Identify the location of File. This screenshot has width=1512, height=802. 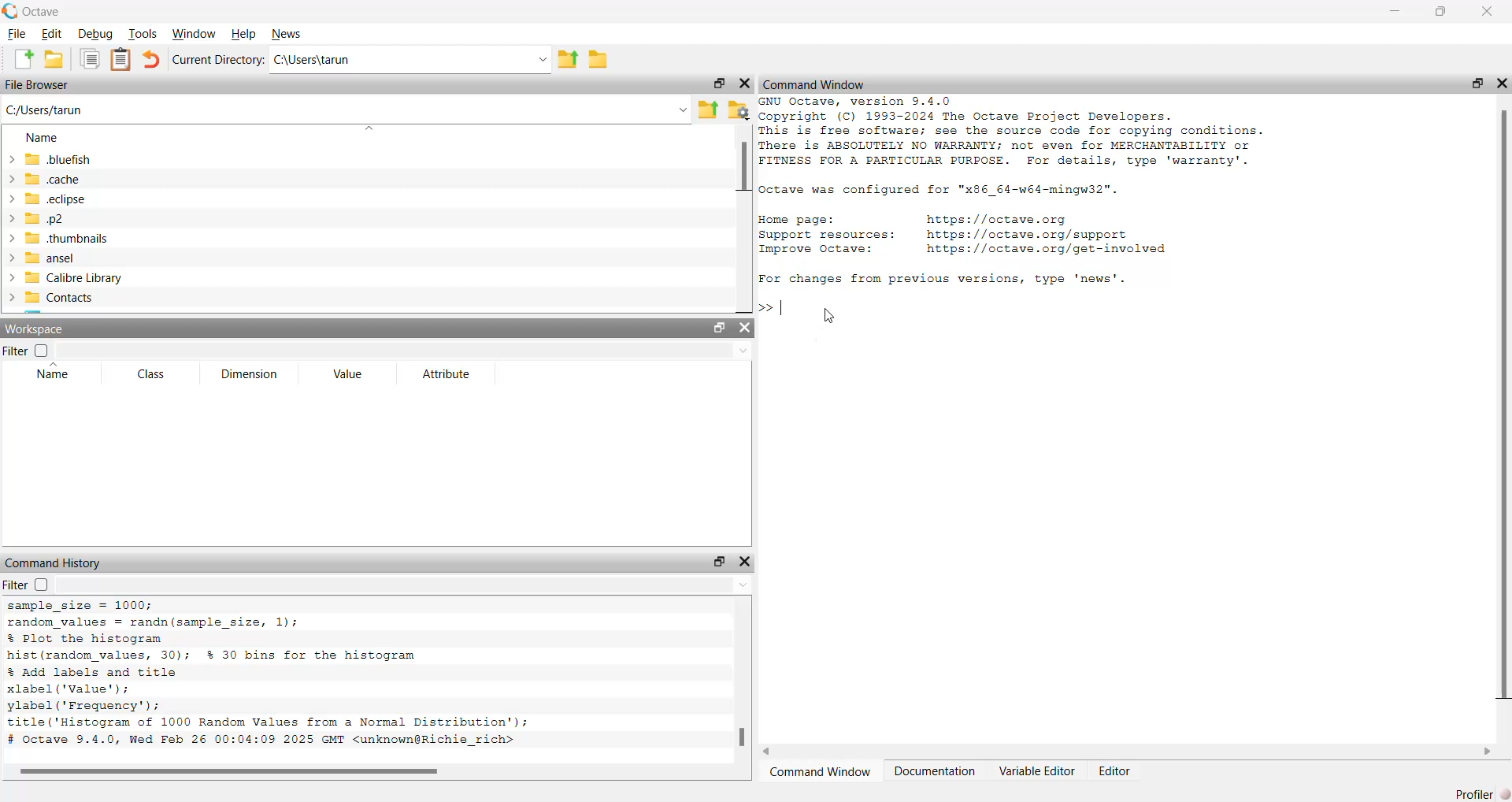
(17, 34).